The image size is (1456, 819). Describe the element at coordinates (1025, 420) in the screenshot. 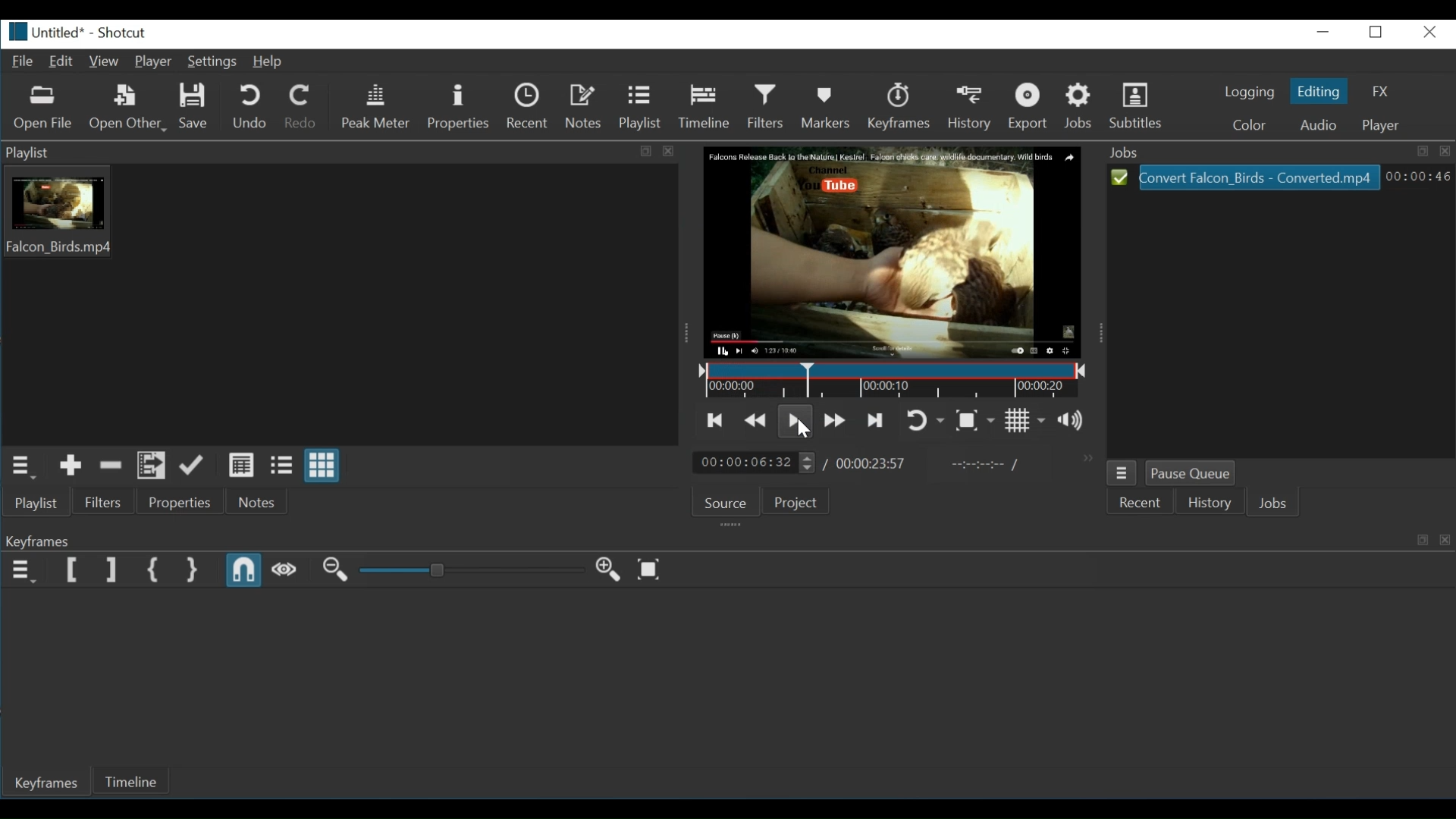

I see `Toggle grid display on the player` at that location.